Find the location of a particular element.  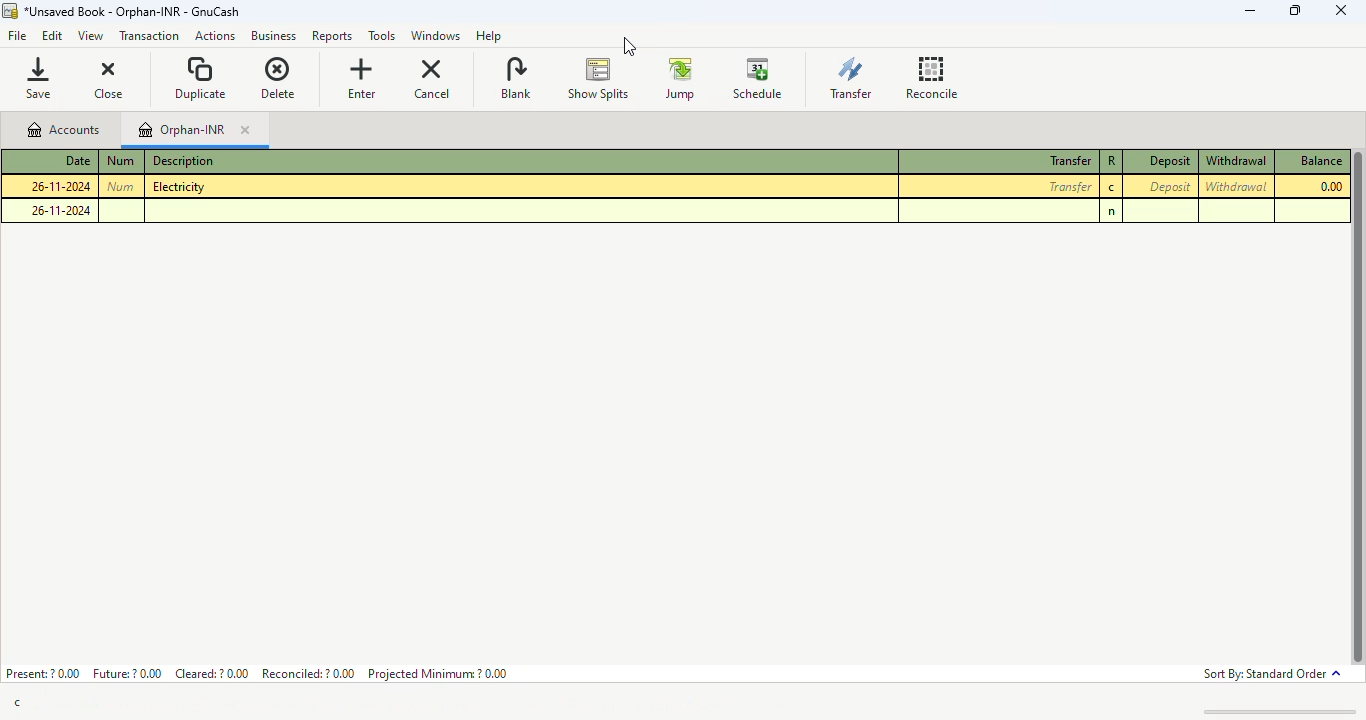

26-11-2024 is located at coordinates (61, 186).